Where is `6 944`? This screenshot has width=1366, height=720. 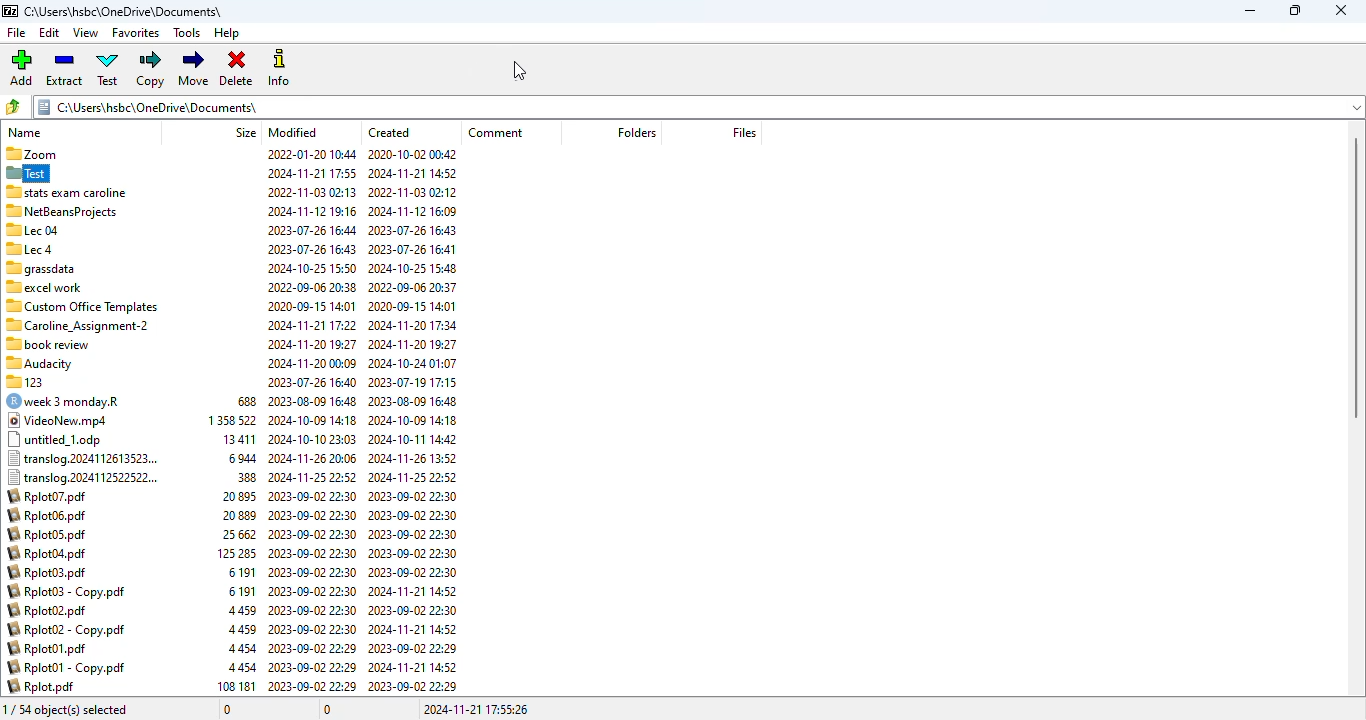 6 944 is located at coordinates (240, 458).